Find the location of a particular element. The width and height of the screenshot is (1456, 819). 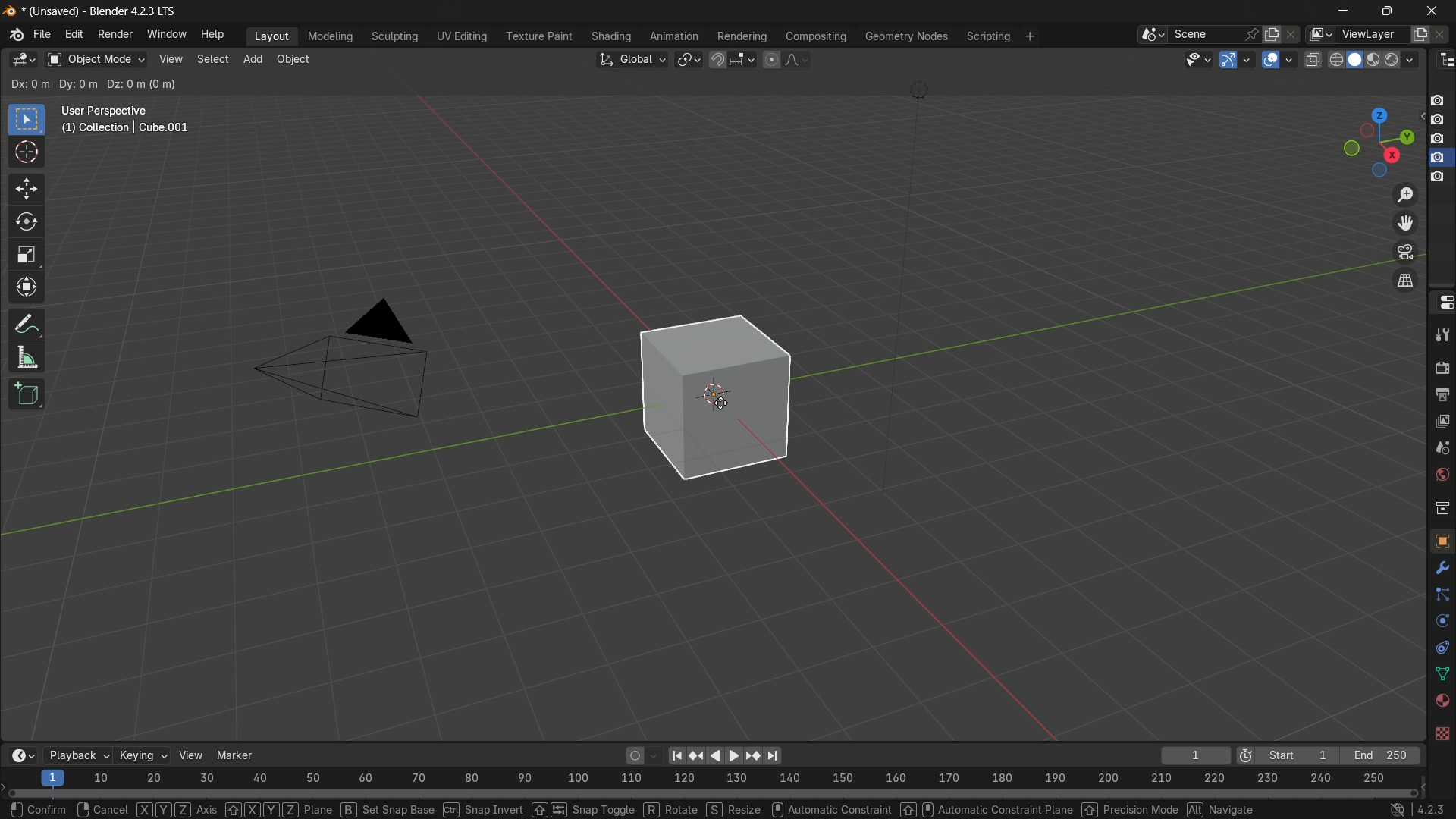

rotate is located at coordinates (22, 221).